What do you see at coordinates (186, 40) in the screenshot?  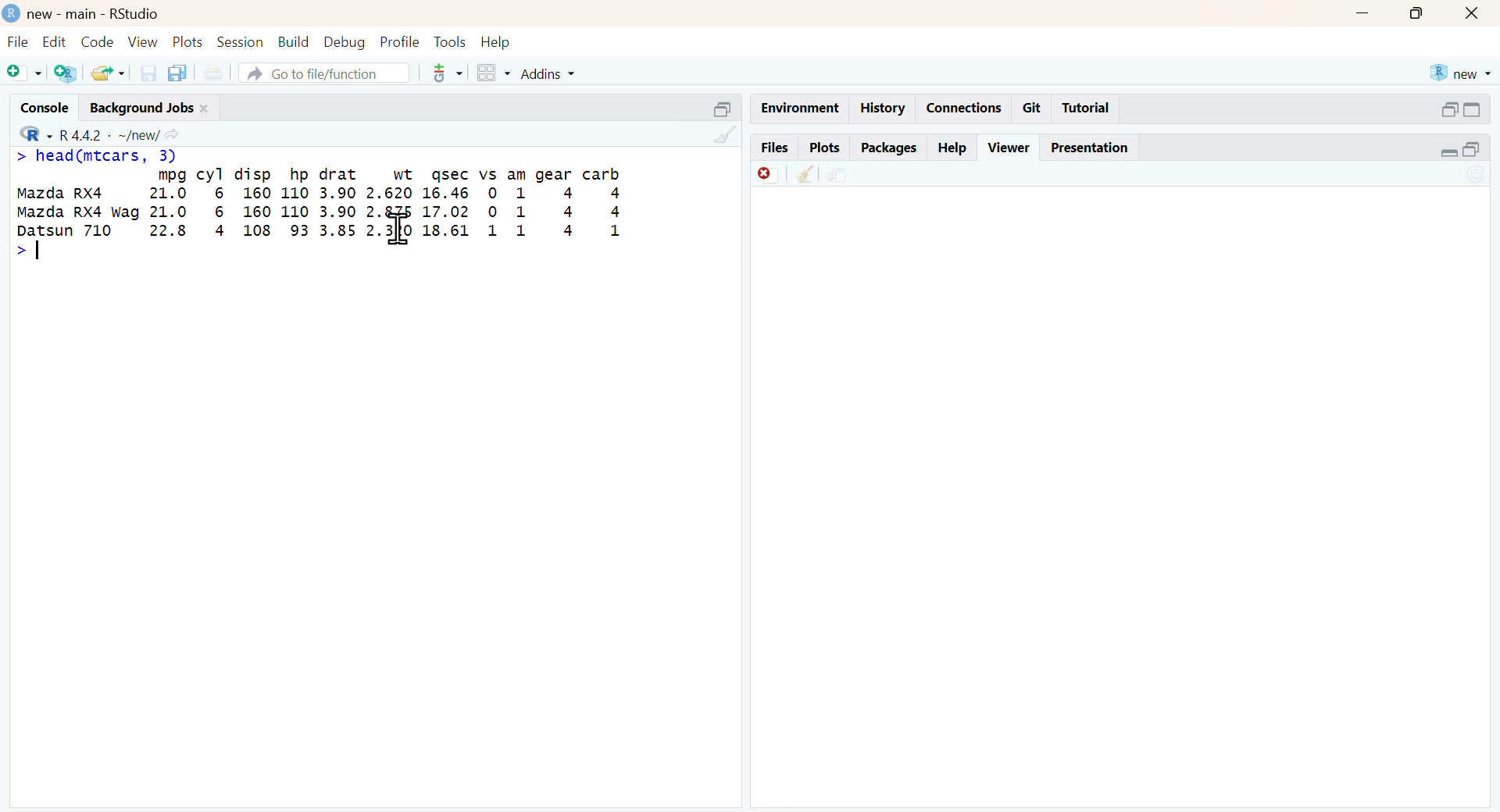 I see `Plots` at bounding box center [186, 40].